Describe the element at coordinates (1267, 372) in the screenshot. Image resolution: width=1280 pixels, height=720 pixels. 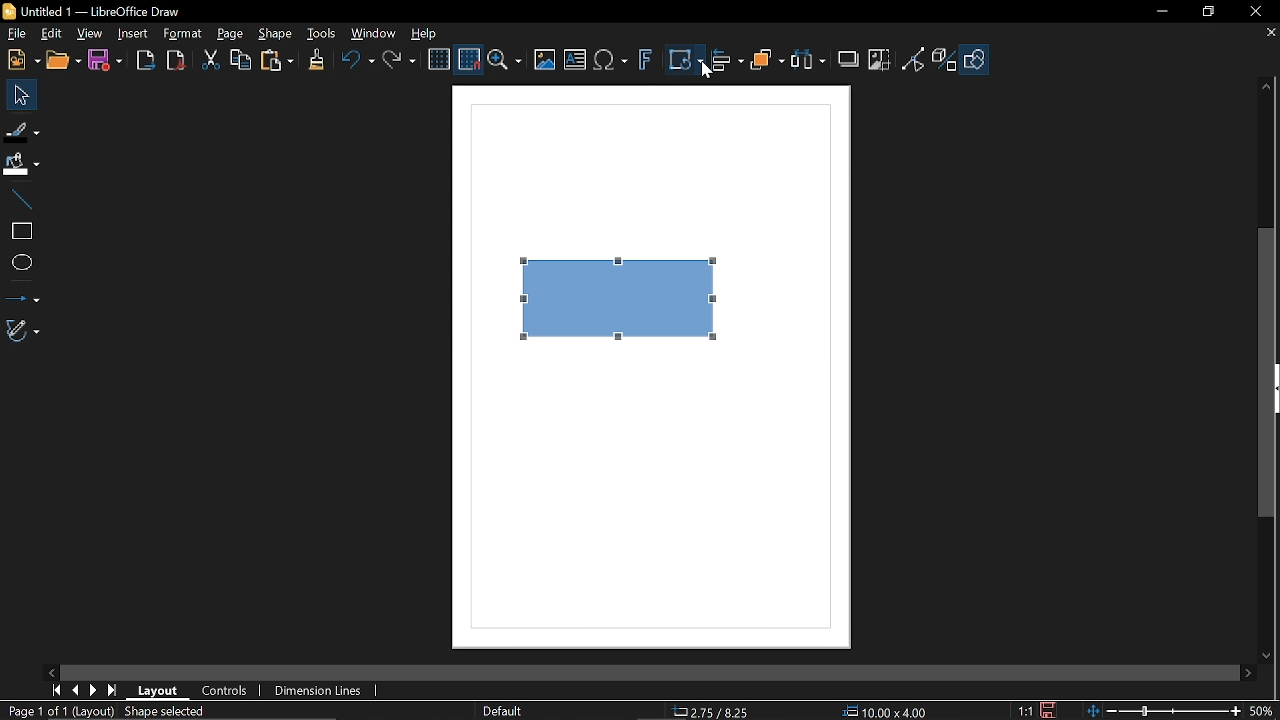
I see `Vertical scrollbar` at that location.